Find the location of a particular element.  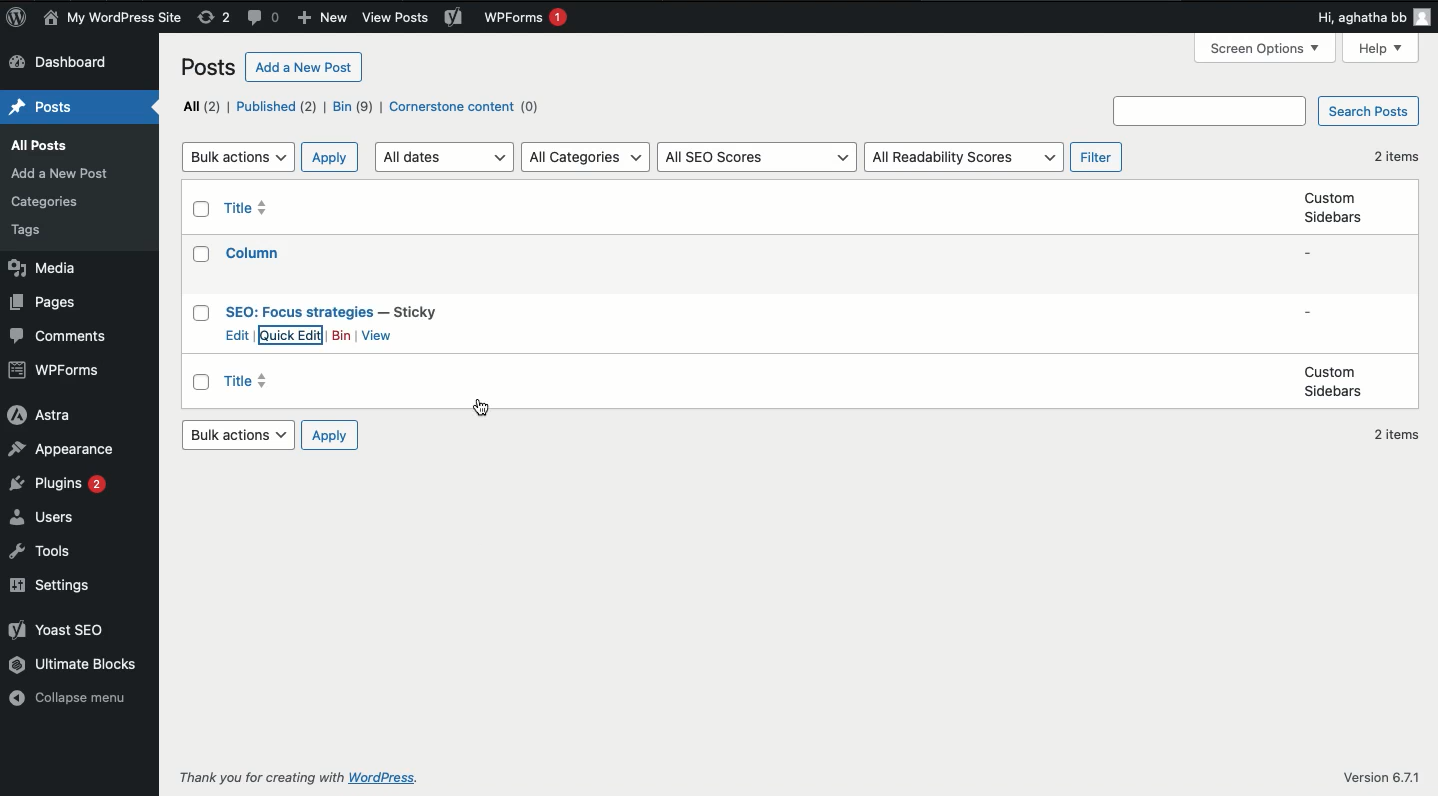

WPForms is located at coordinates (56, 369).